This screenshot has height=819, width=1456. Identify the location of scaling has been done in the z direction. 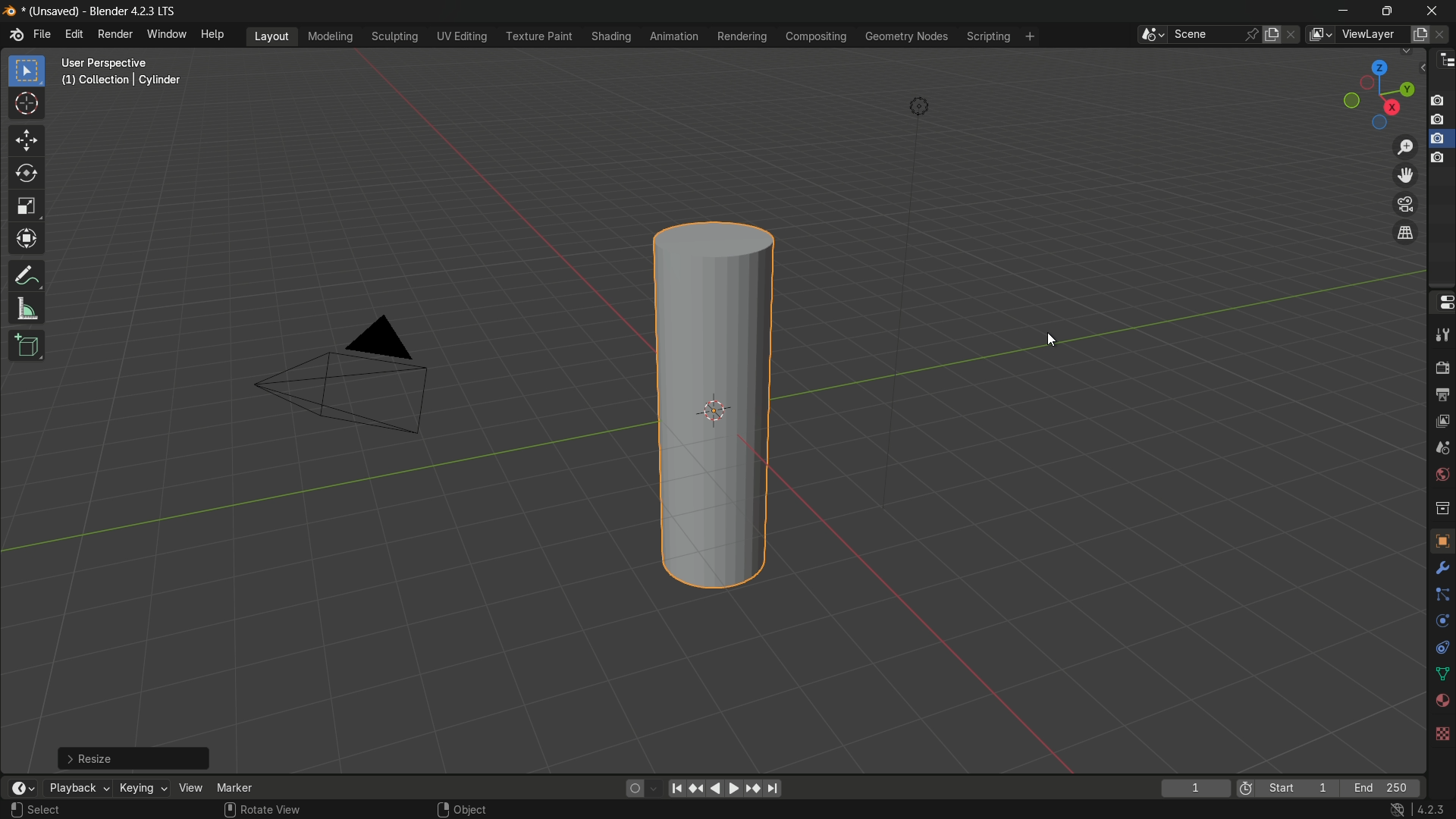
(707, 397).